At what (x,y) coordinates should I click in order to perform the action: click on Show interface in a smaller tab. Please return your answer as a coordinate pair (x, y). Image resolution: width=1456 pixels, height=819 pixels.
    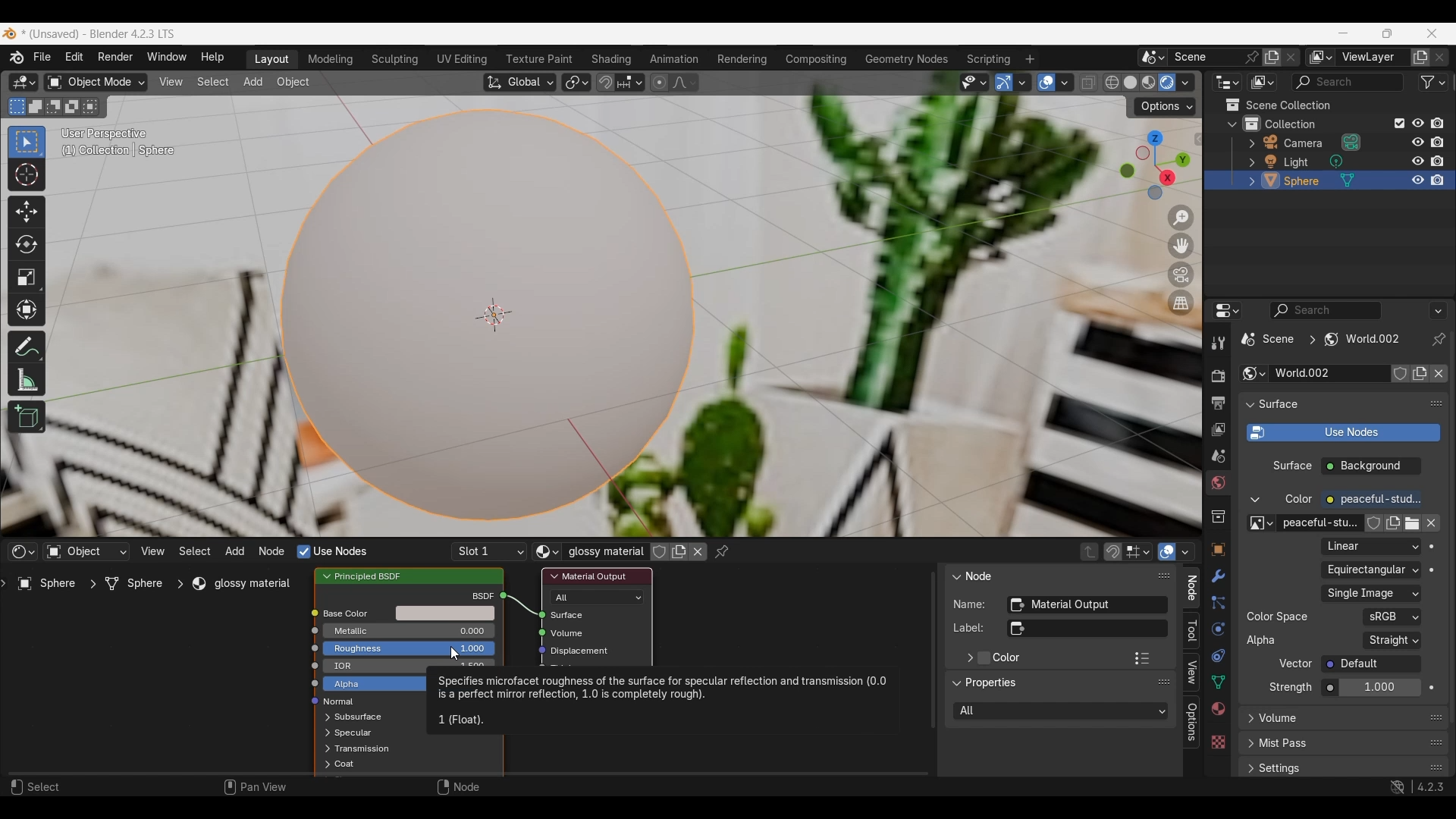
    Looking at the image, I should click on (1388, 33).